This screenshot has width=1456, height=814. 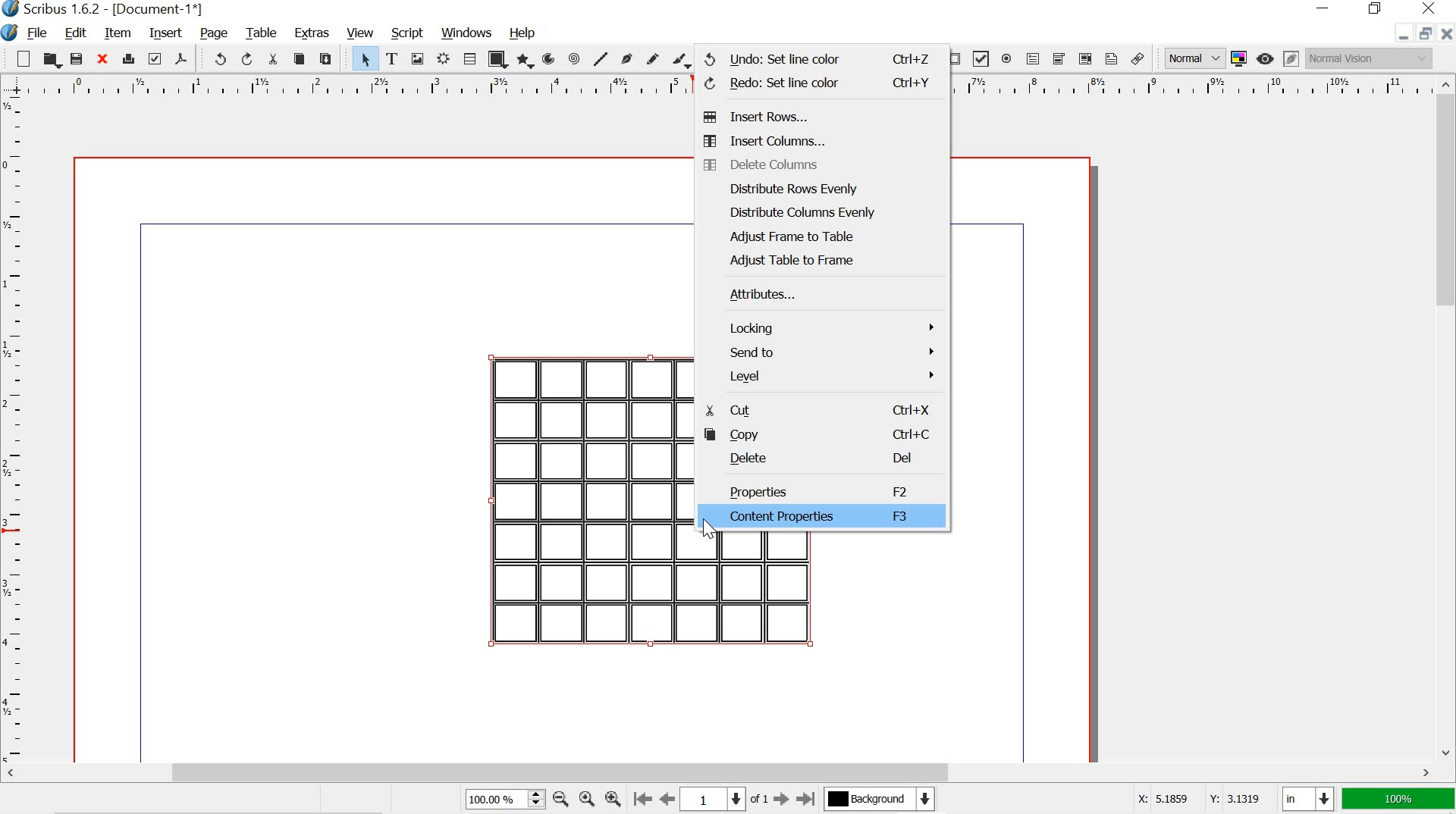 I want to click on table, so click(x=568, y=502).